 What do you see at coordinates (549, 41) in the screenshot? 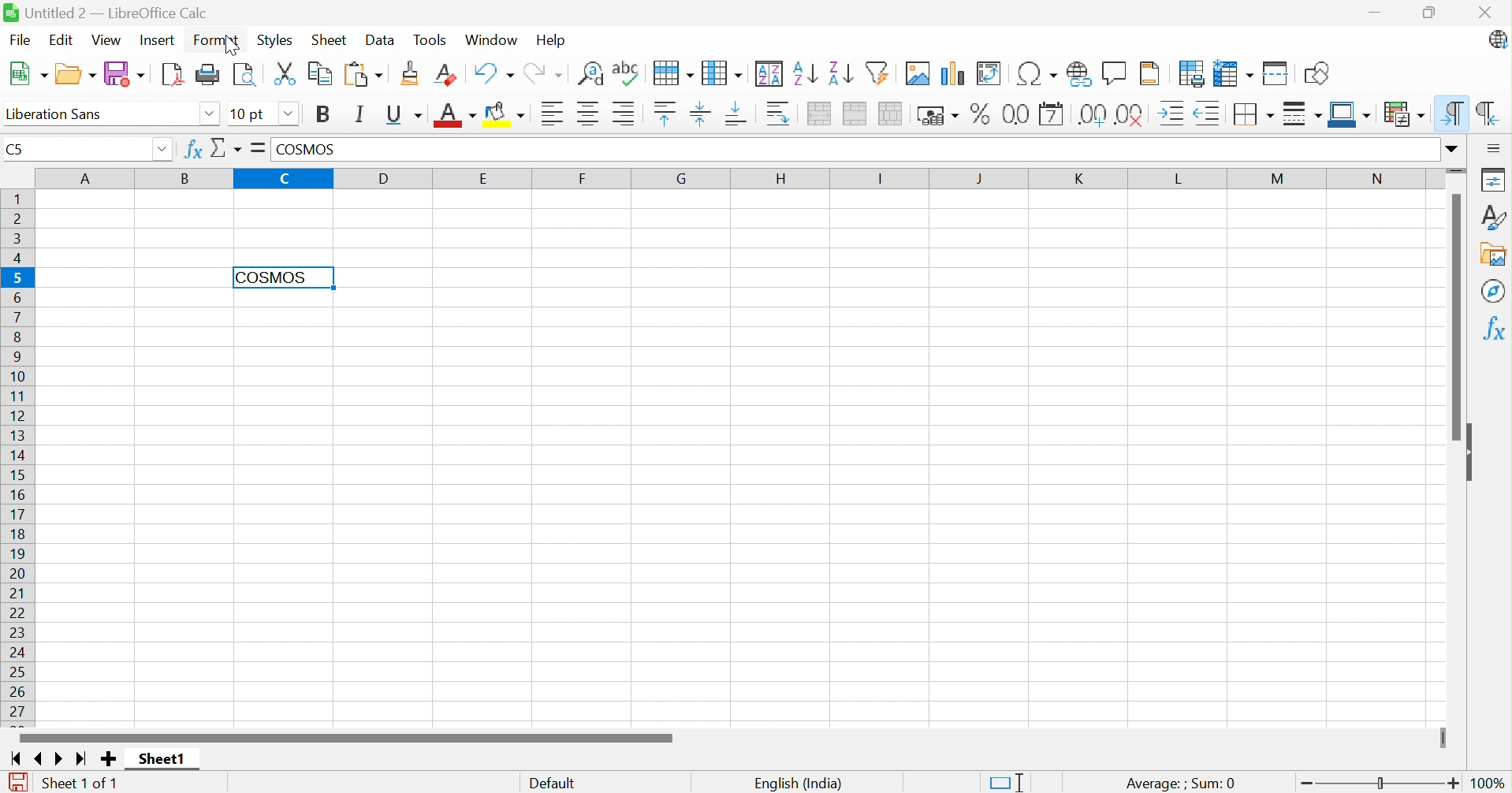
I see `Help` at bounding box center [549, 41].